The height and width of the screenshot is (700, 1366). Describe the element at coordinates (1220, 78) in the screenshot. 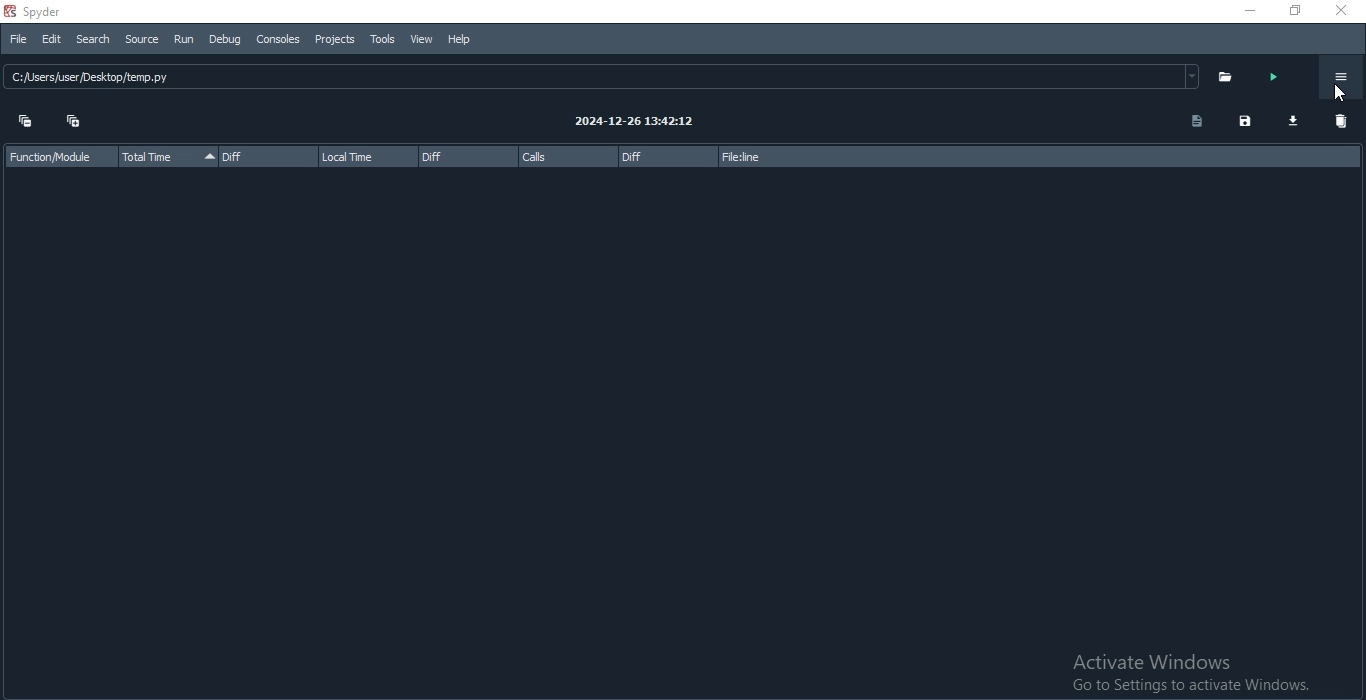

I see `folder` at that location.